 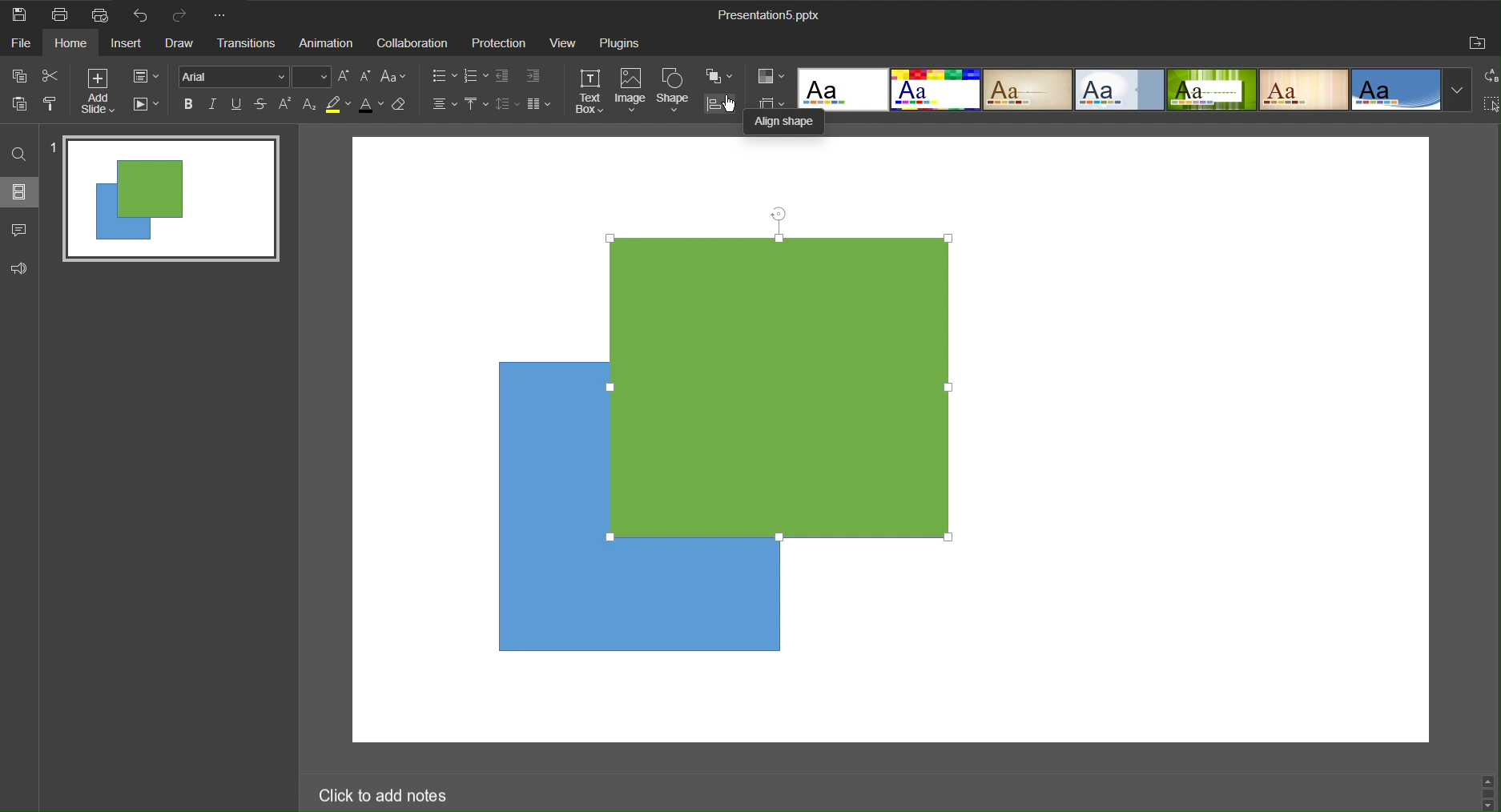 I want to click on Font Settings, so click(x=256, y=78).